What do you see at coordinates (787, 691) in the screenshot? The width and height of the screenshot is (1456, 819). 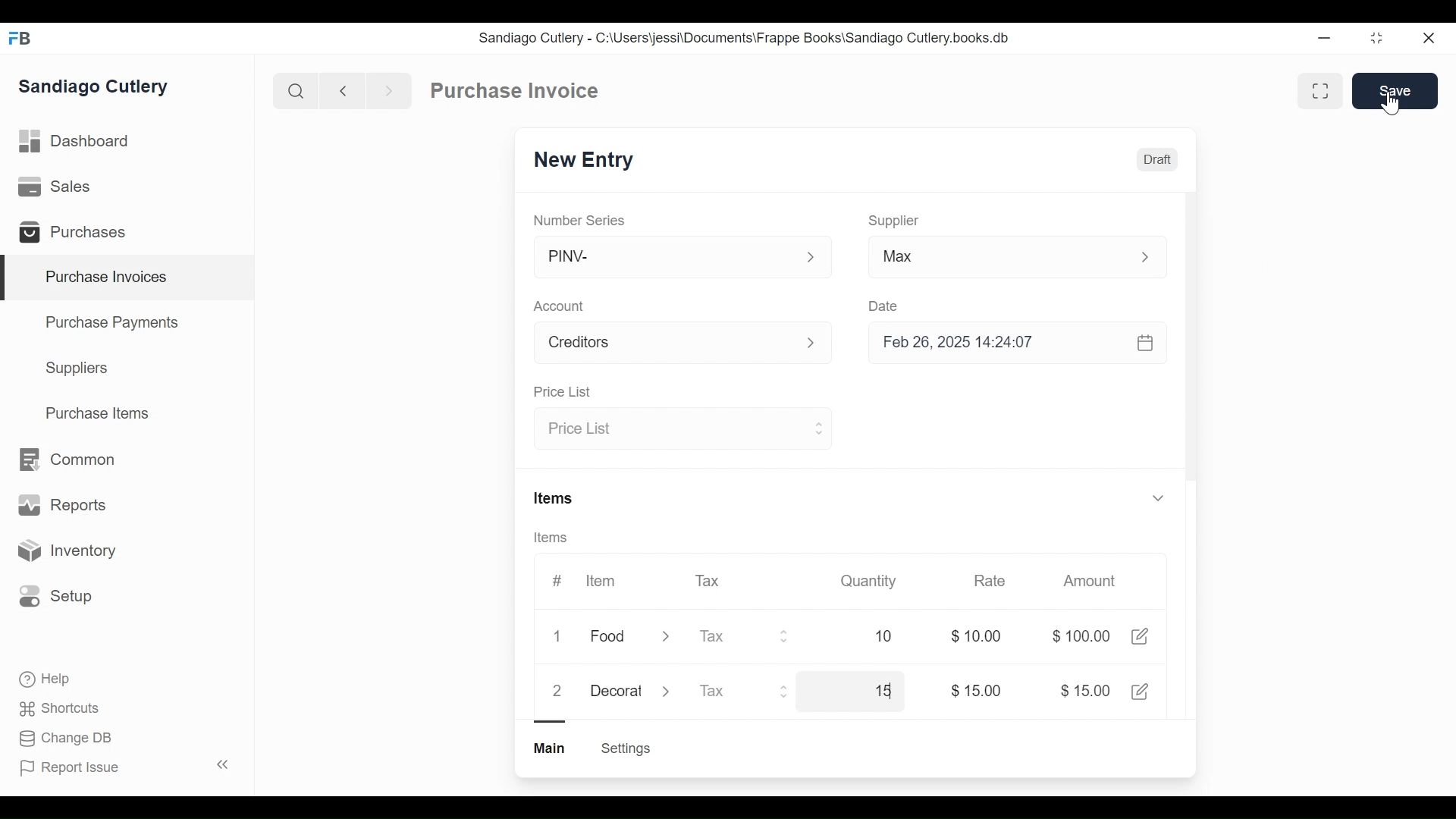 I see `Expand` at bounding box center [787, 691].